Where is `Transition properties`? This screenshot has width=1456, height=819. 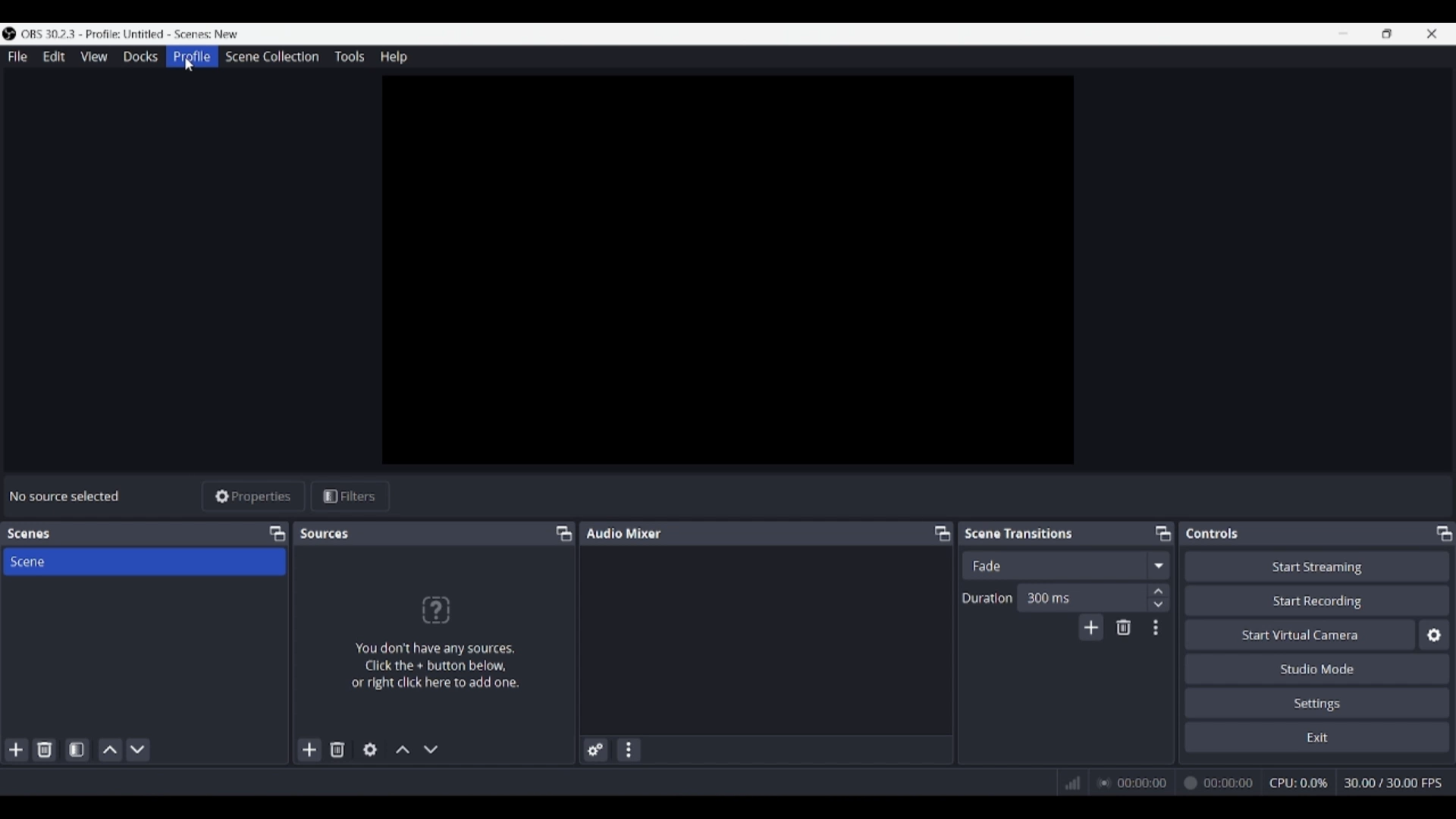 Transition properties is located at coordinates (1156, 628).